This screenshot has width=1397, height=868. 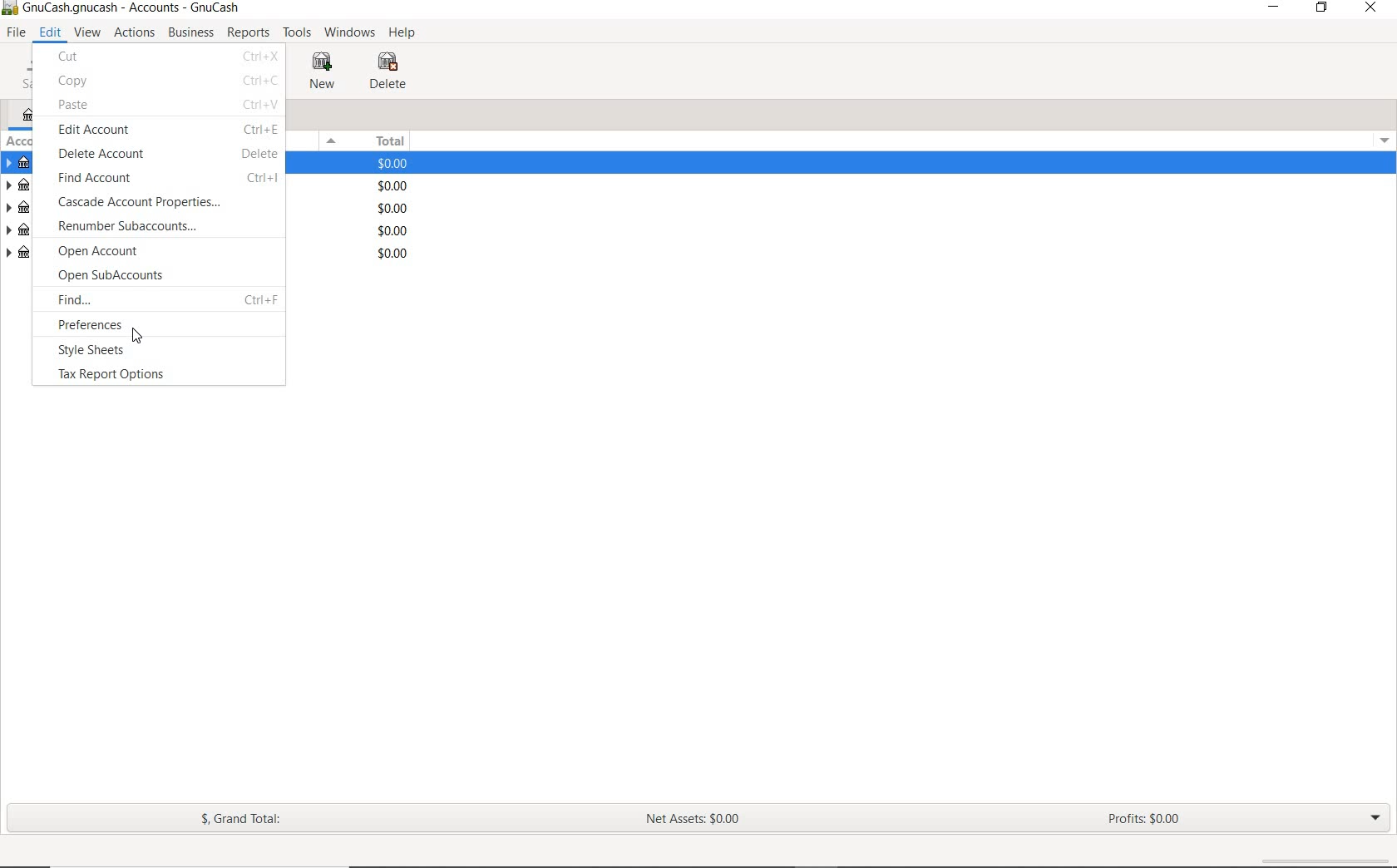 What do you see at coordinates (353, 209) in the screenshot?
I see `INCOME` at bounding box center [353, 209].